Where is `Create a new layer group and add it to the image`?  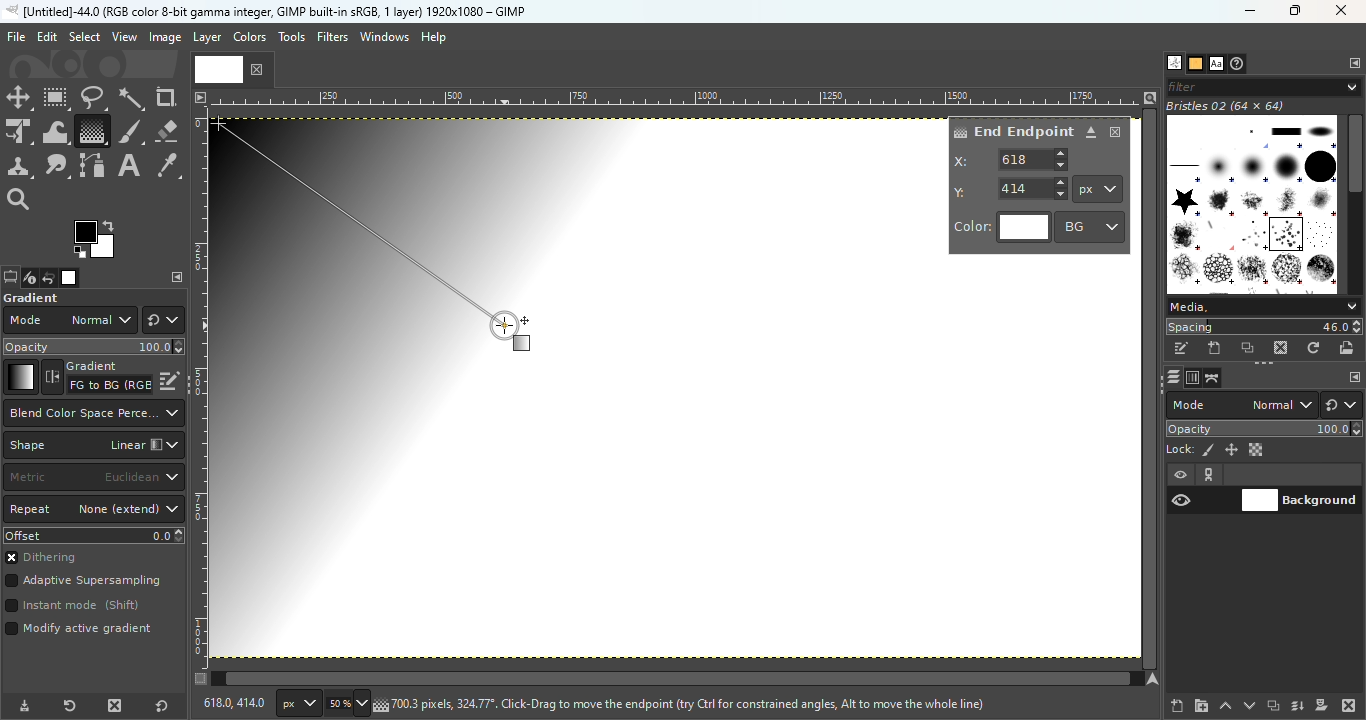
Create a new layer group and add it to the image is located at coordinates (1201, 706).